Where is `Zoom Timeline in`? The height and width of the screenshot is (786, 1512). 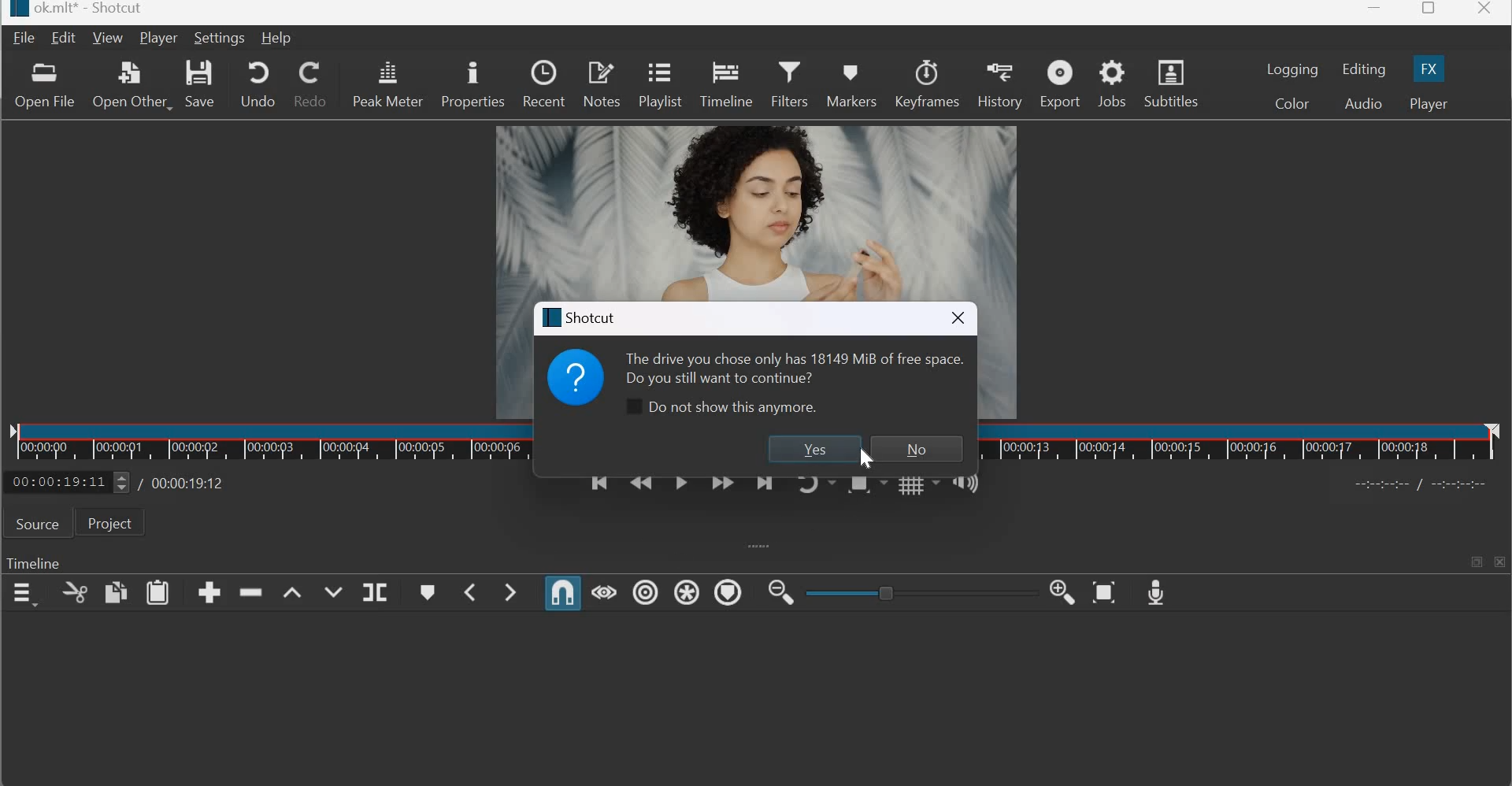 Zoom Timeline in is located at coordinates (1063, 593).